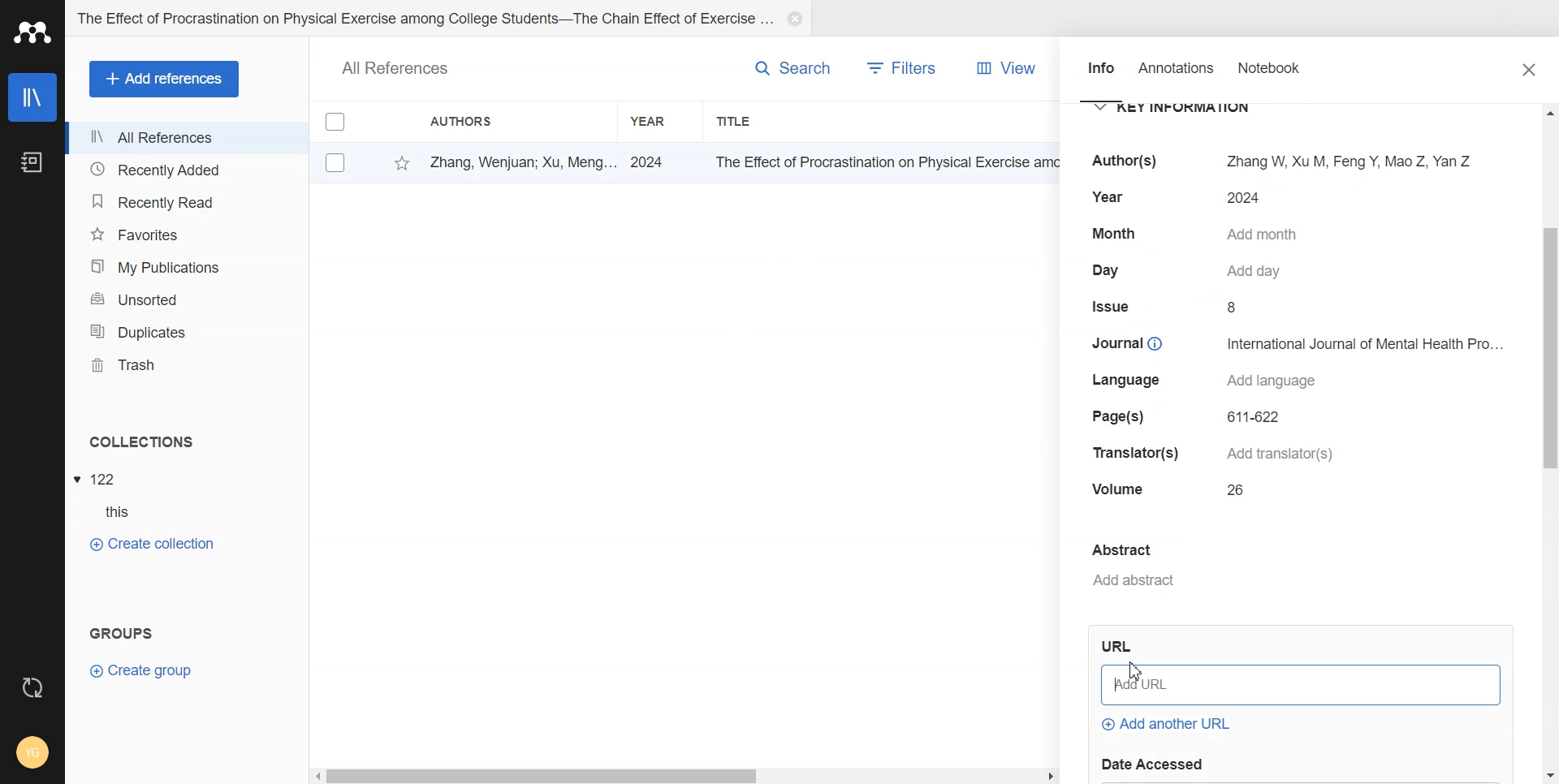 This screenshot has height=784, width=1559. I want to click on Trash, so click(187, 364).